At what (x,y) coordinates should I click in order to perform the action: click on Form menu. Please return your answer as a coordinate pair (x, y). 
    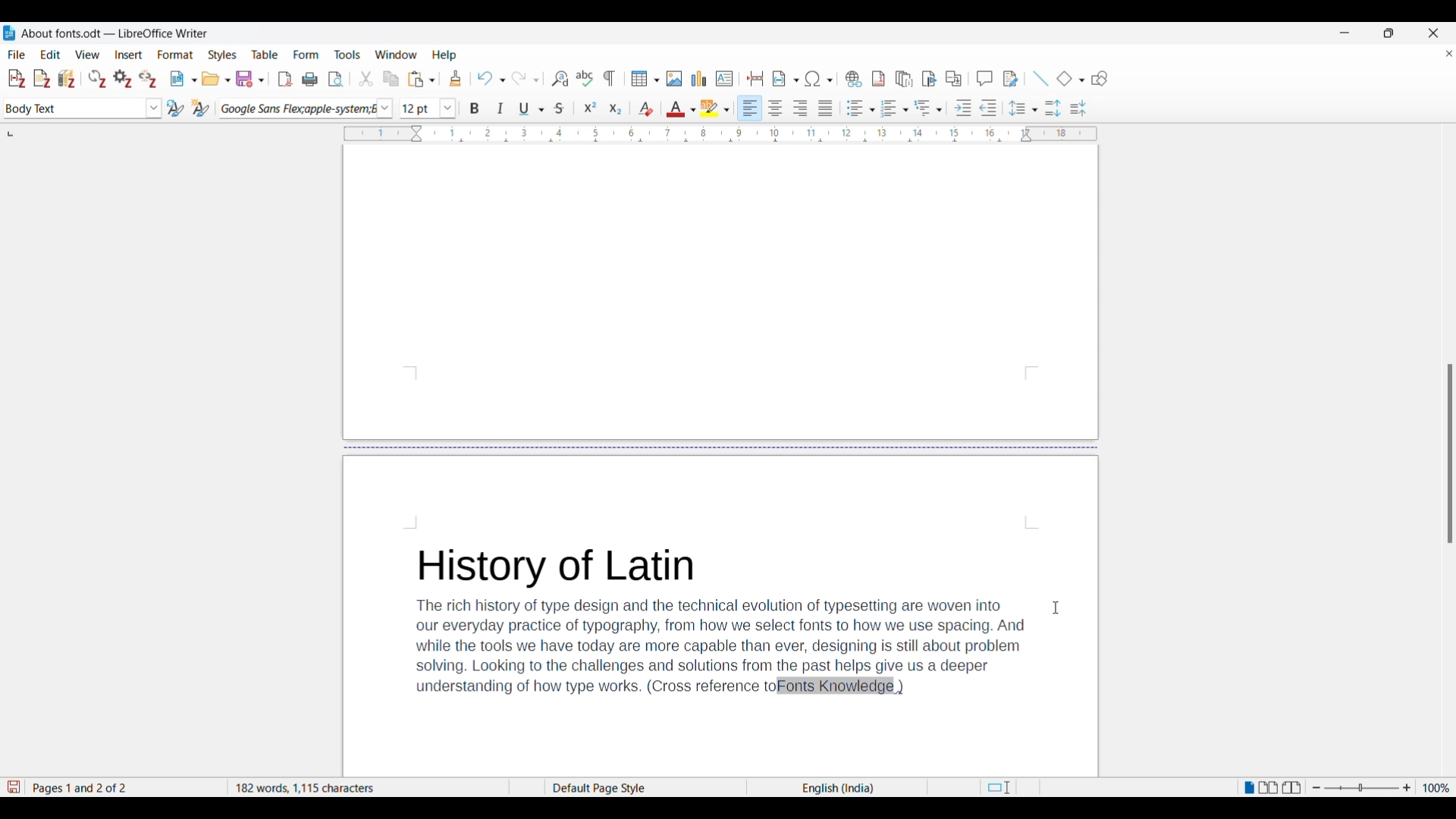
    Looking at the image, I should click on (306, 55).